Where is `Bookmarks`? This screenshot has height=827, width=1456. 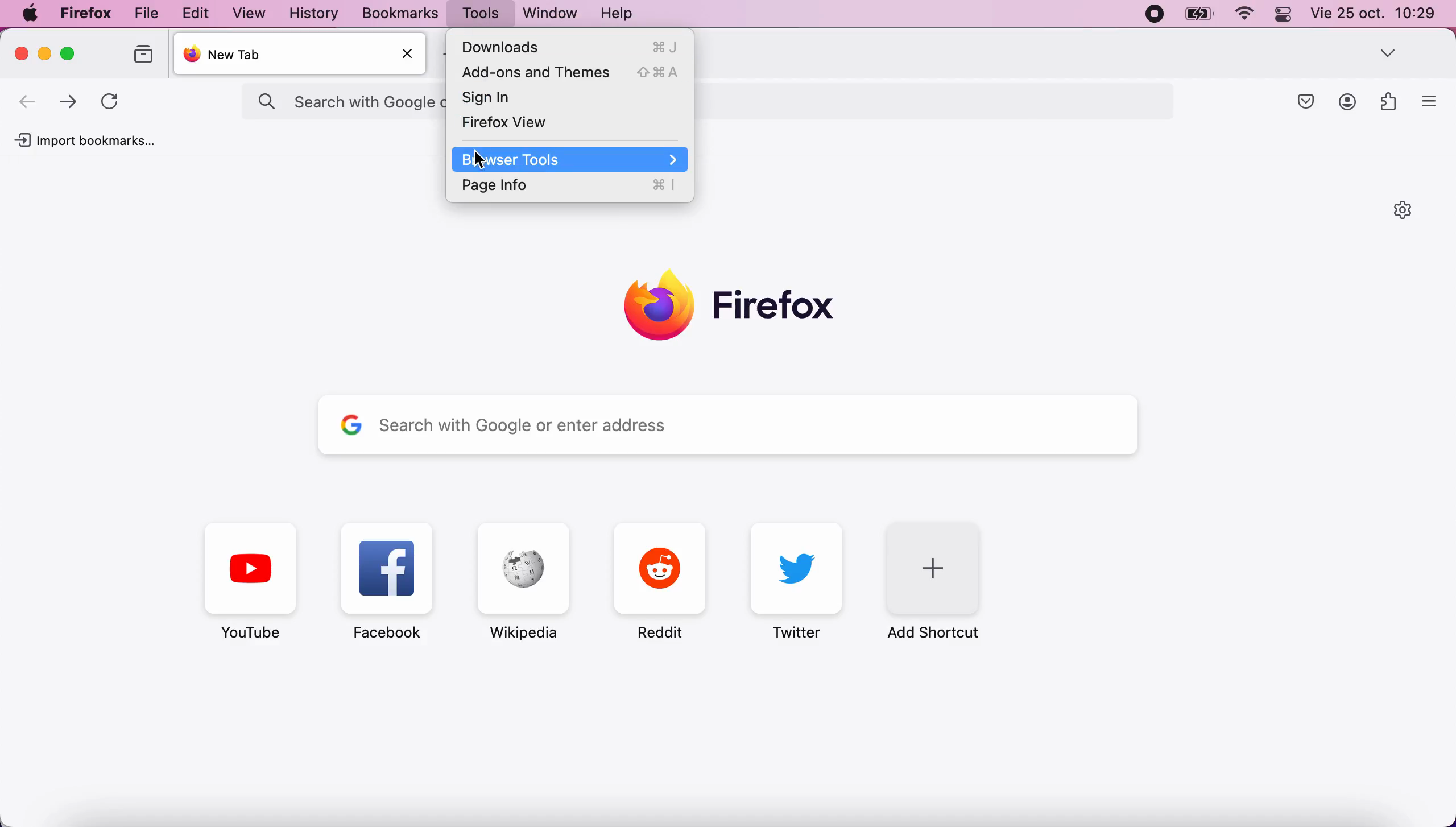
Bookmarks is located at coordinates (400, 13).